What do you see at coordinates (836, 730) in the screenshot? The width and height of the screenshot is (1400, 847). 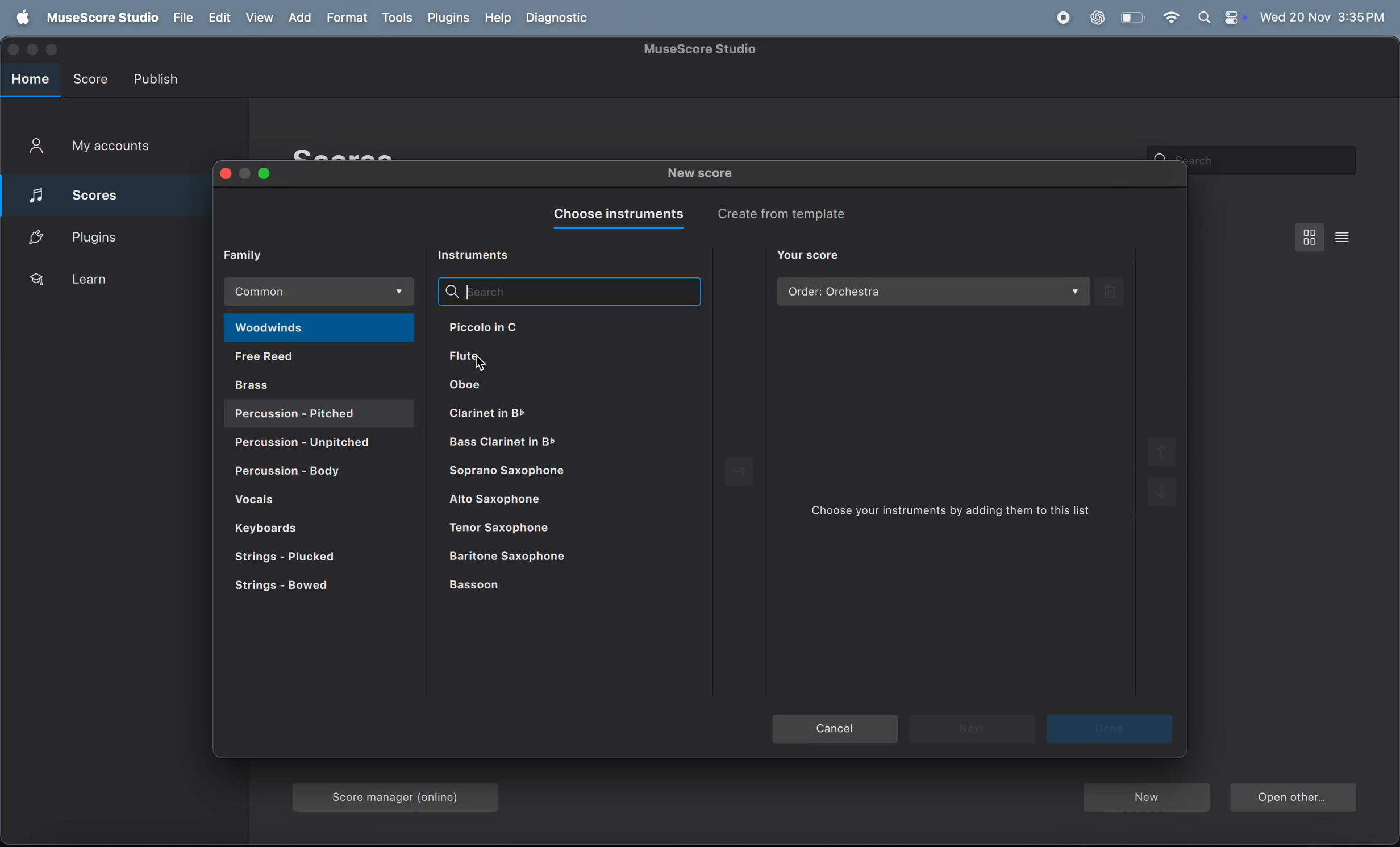 I see `cancel` at bounding box center [836, 730].